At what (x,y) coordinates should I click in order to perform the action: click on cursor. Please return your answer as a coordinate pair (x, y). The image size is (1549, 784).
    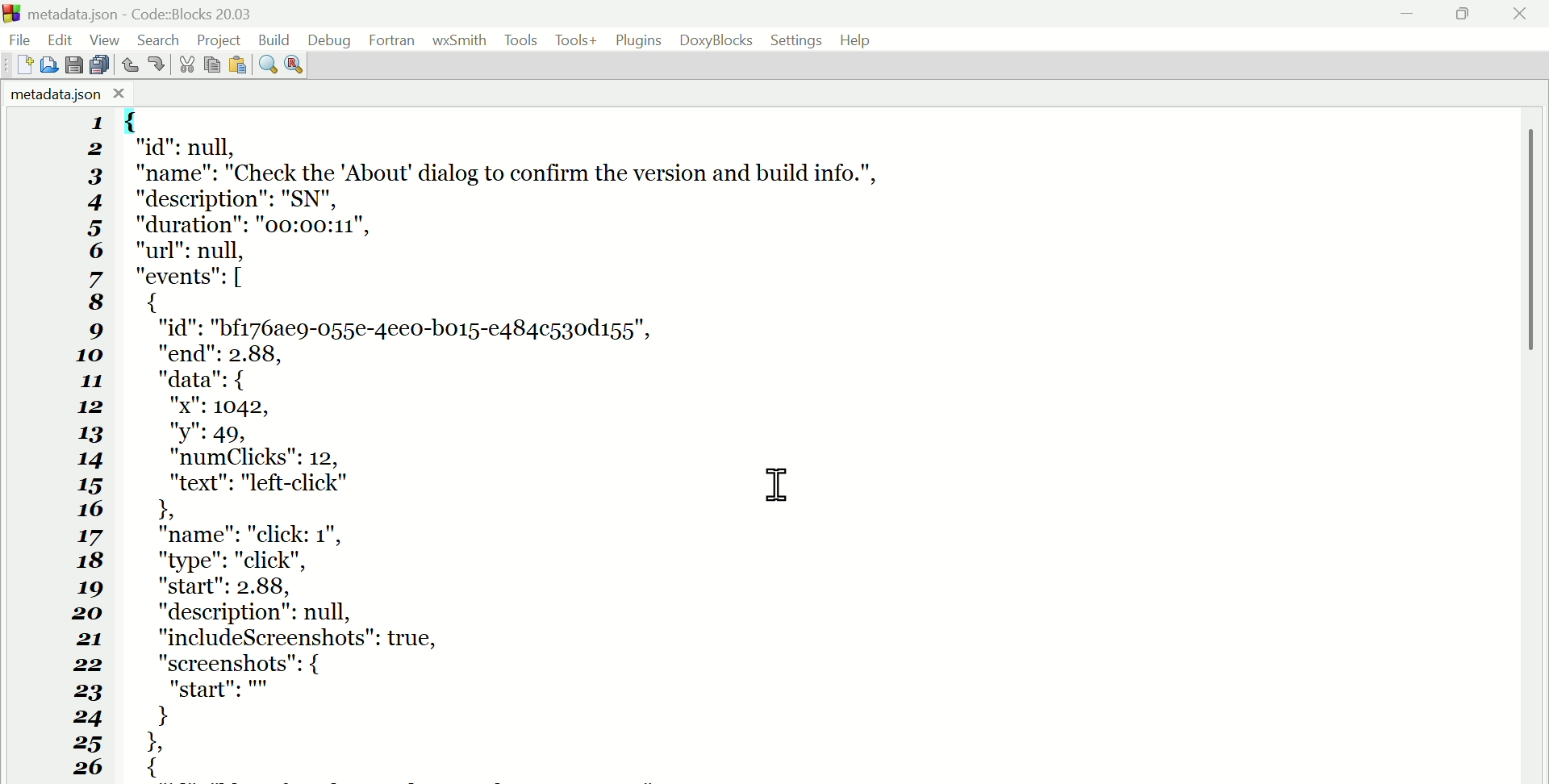
    Looking at the image, I should click on (778, 484).